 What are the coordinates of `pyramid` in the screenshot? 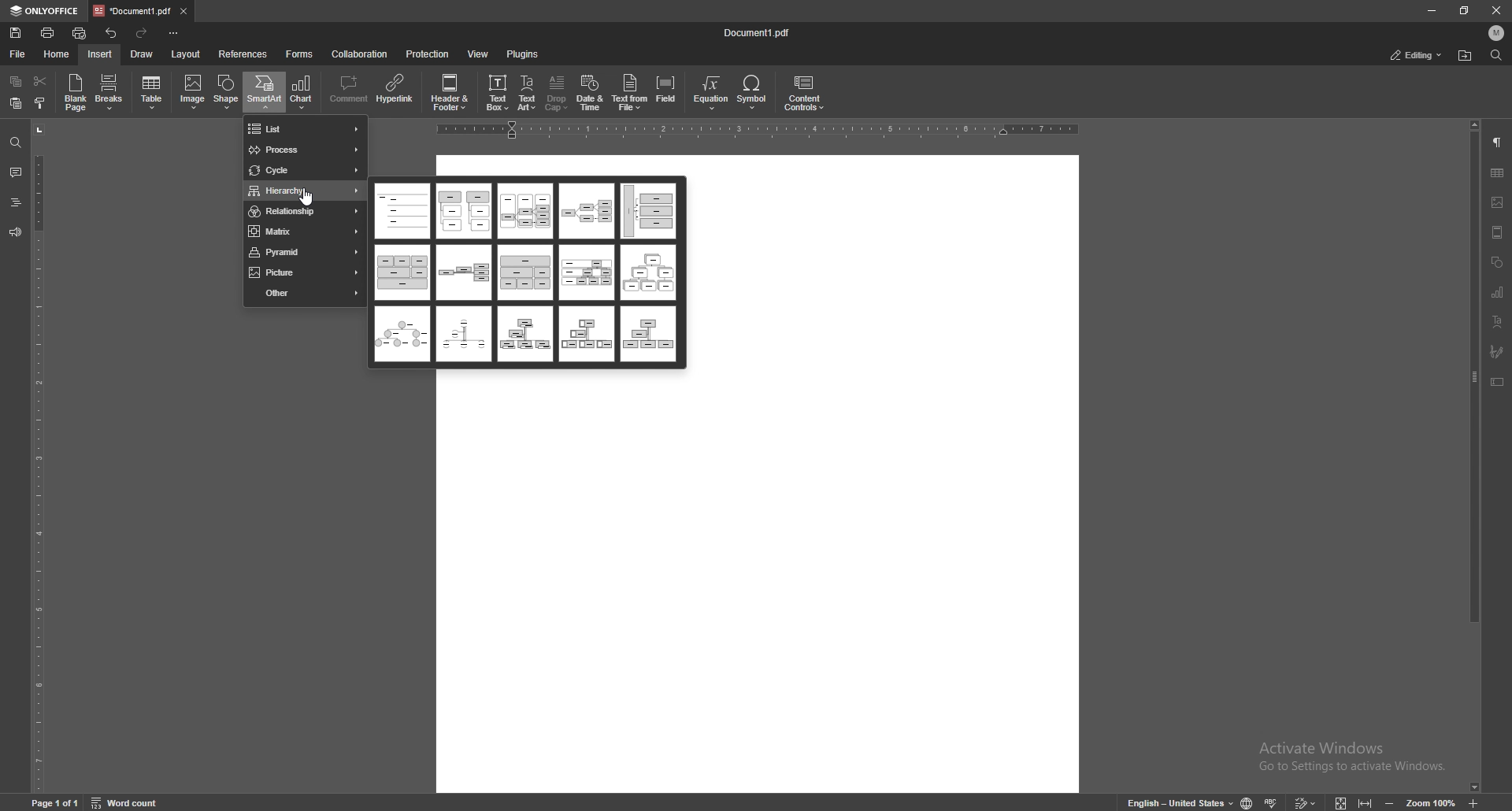 It's located at (302, 252).